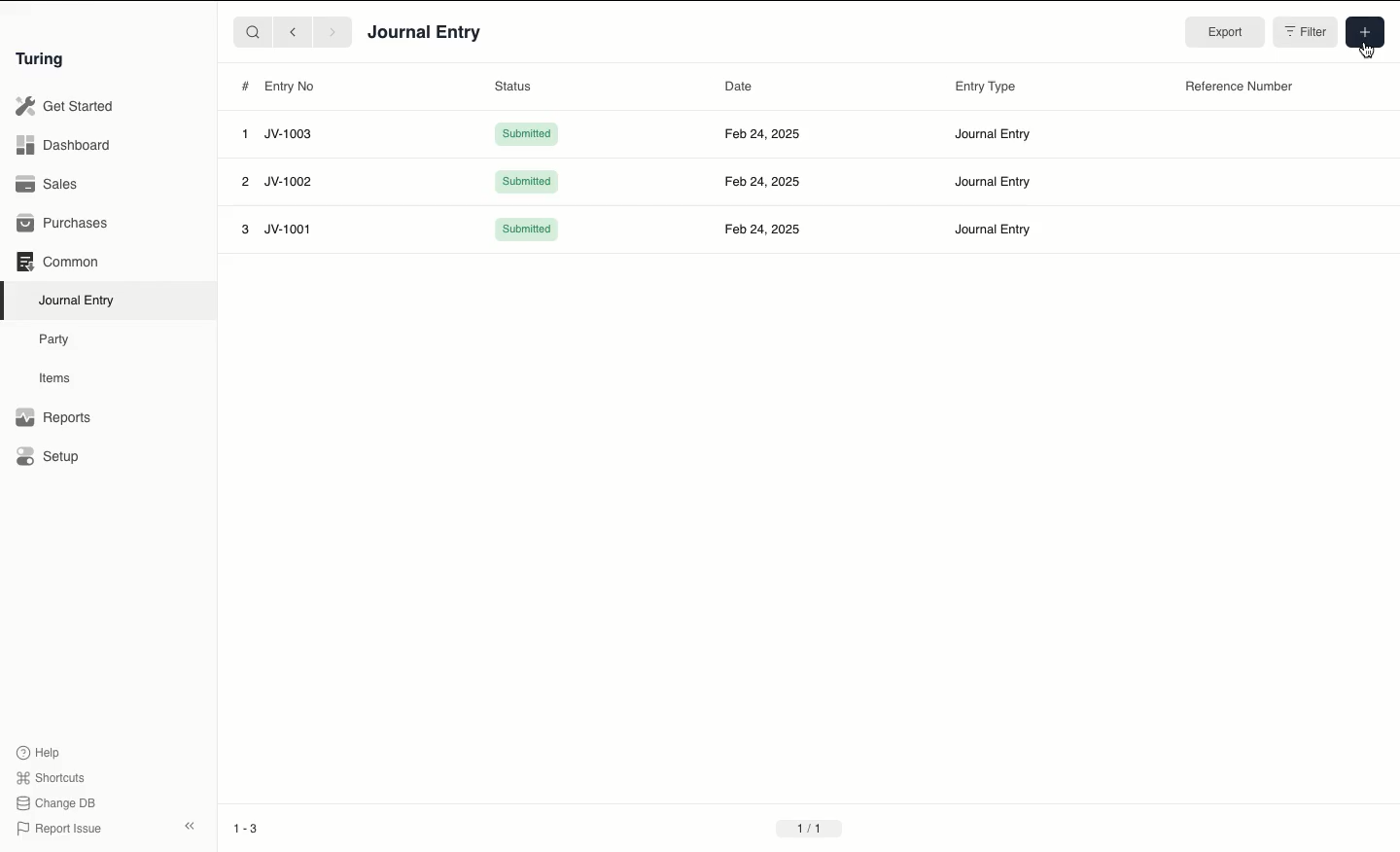 This screenshot has width=1400, height=852. I want to click on Backward, so click(293, 31).